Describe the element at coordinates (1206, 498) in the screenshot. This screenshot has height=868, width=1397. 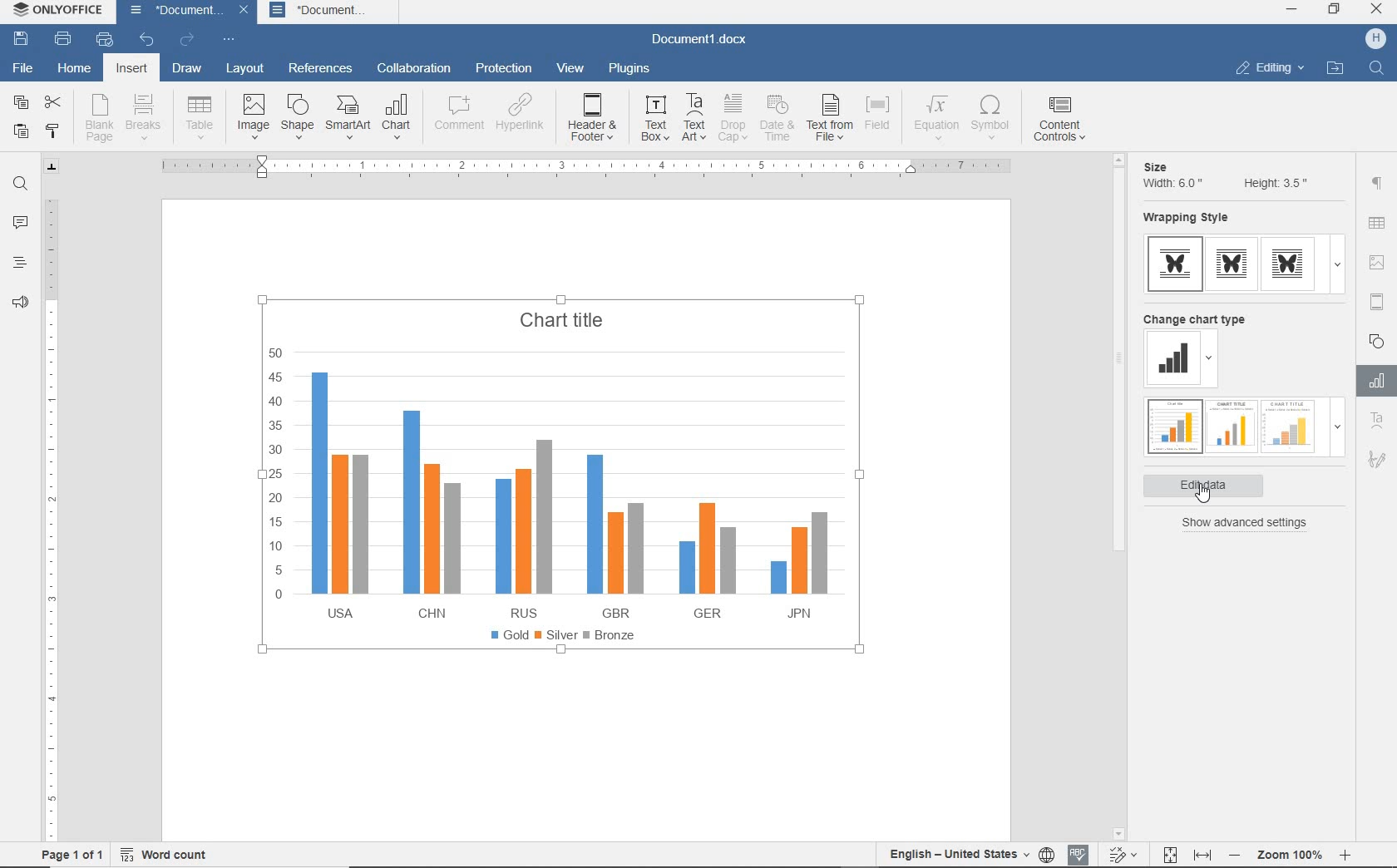
I see `cursor` at that location.